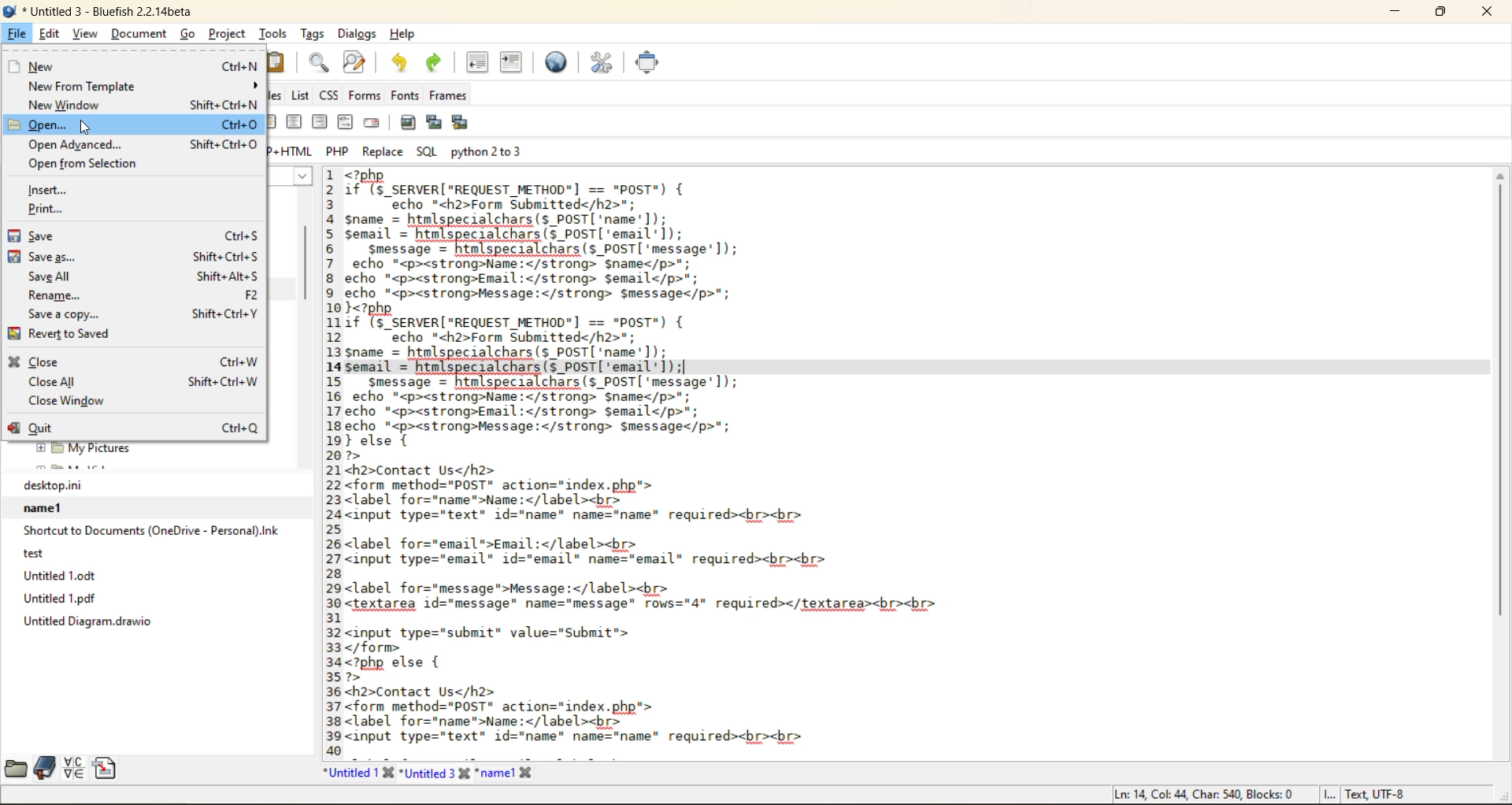 The image size is (1512, 805). I want to click on folder explorer, so click(145, 454).